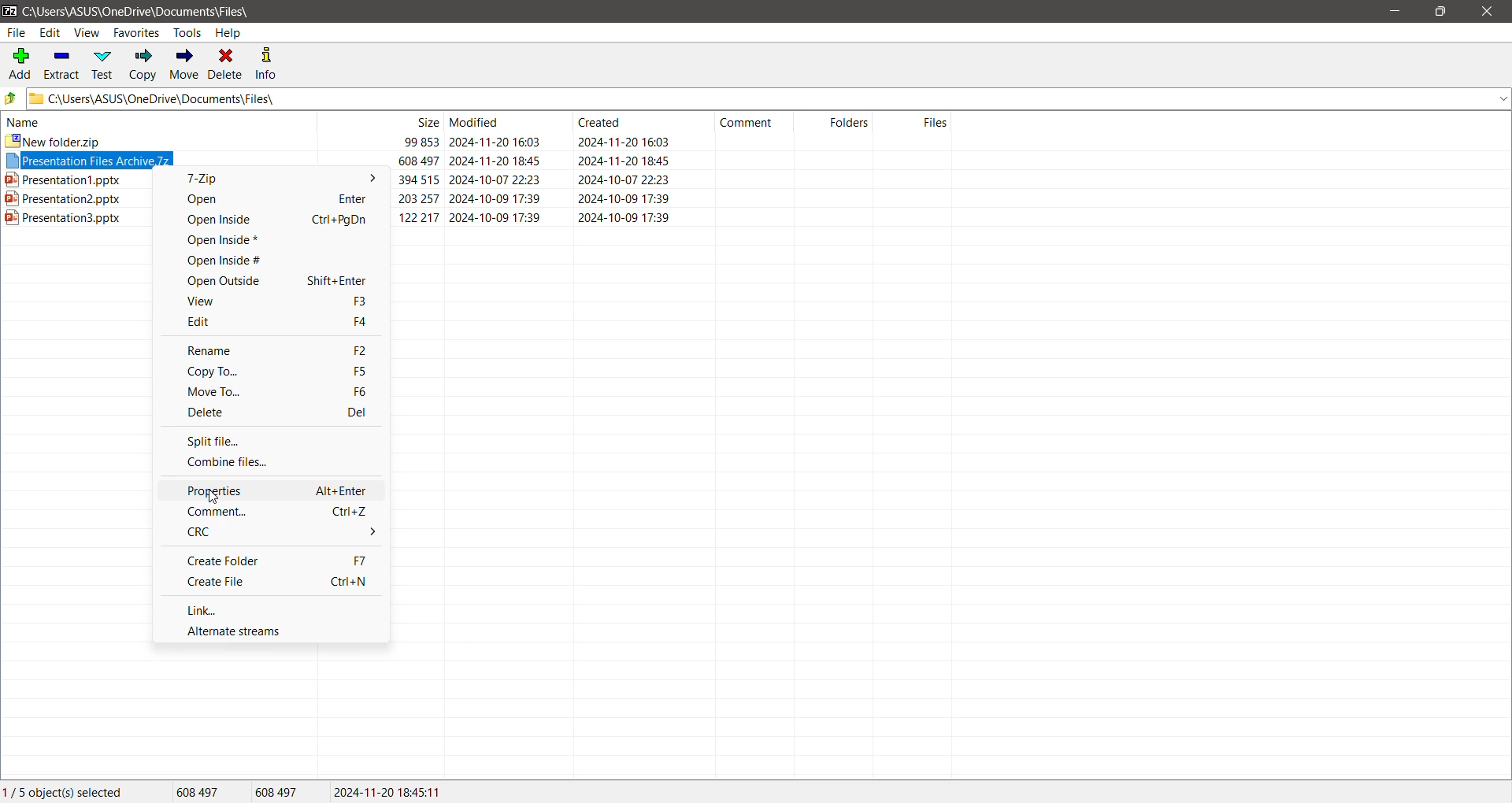 This screenshot has width=1512, height=803. Describe the element at coordinates (139, 10) in the screenshot. I see `Current Folder Path` at that location.